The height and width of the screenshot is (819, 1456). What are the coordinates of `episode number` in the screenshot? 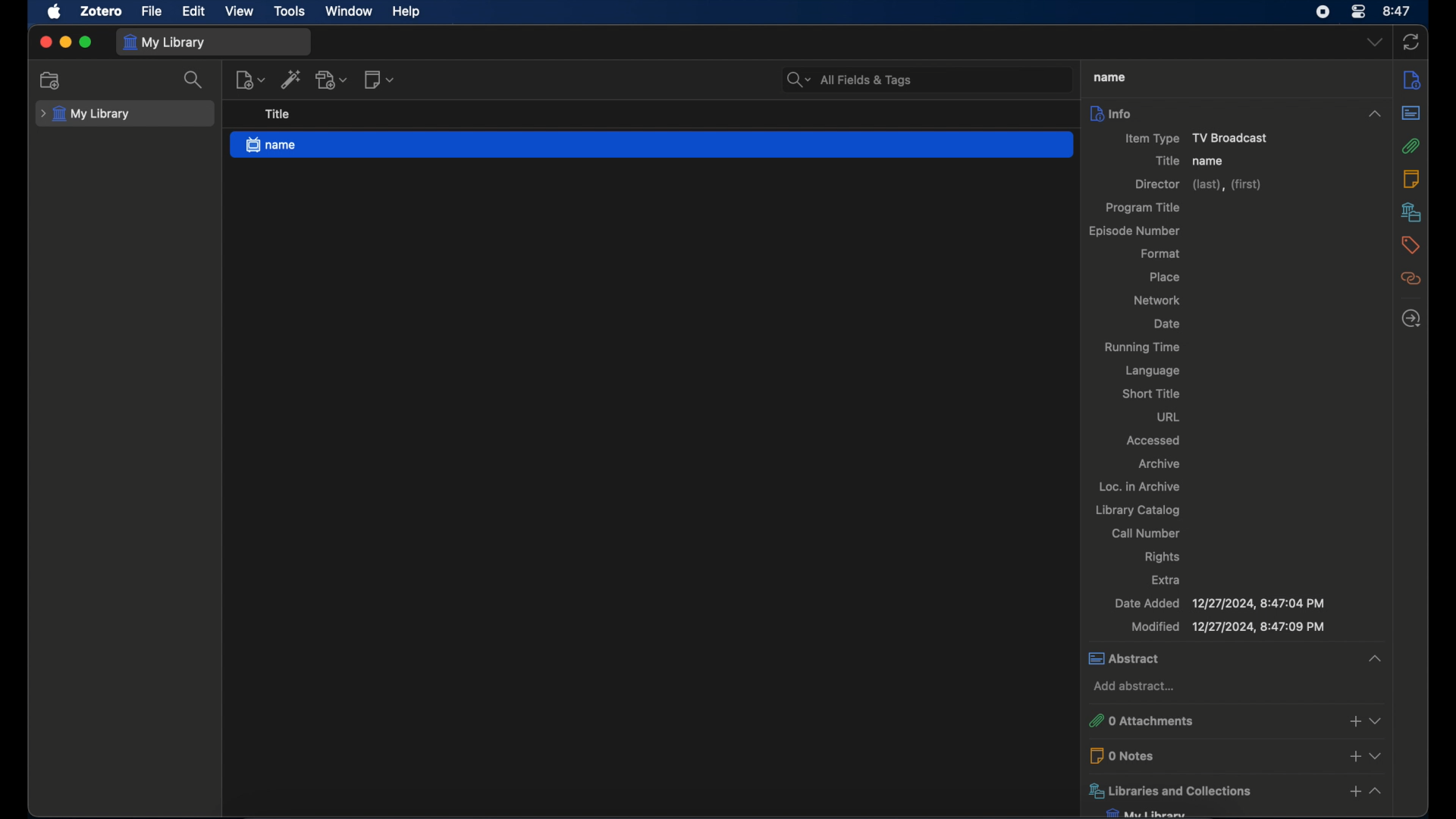 It's located at (1134, 231).